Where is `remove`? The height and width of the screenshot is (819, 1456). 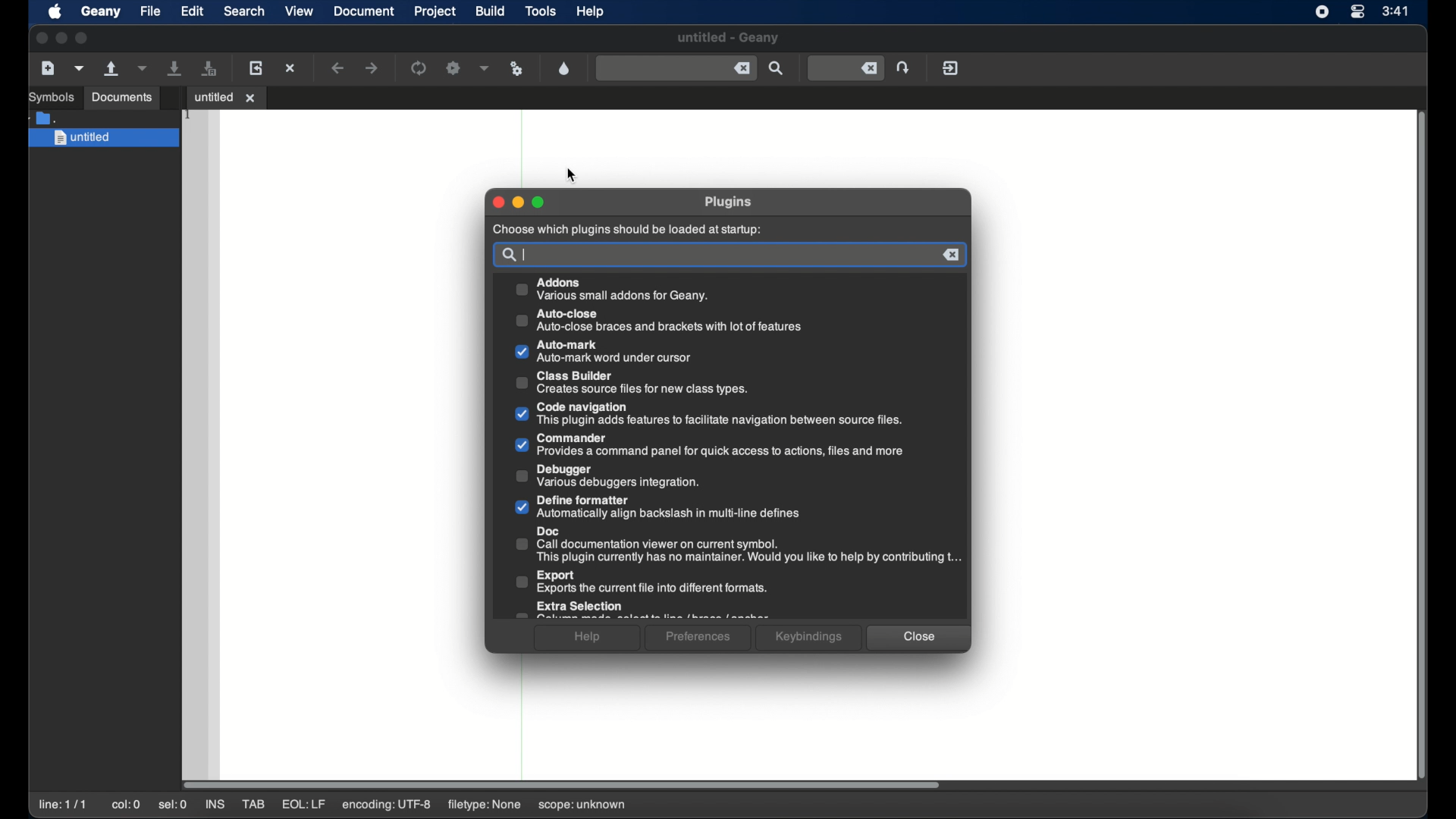
remove is located at coordinates (950, 254).